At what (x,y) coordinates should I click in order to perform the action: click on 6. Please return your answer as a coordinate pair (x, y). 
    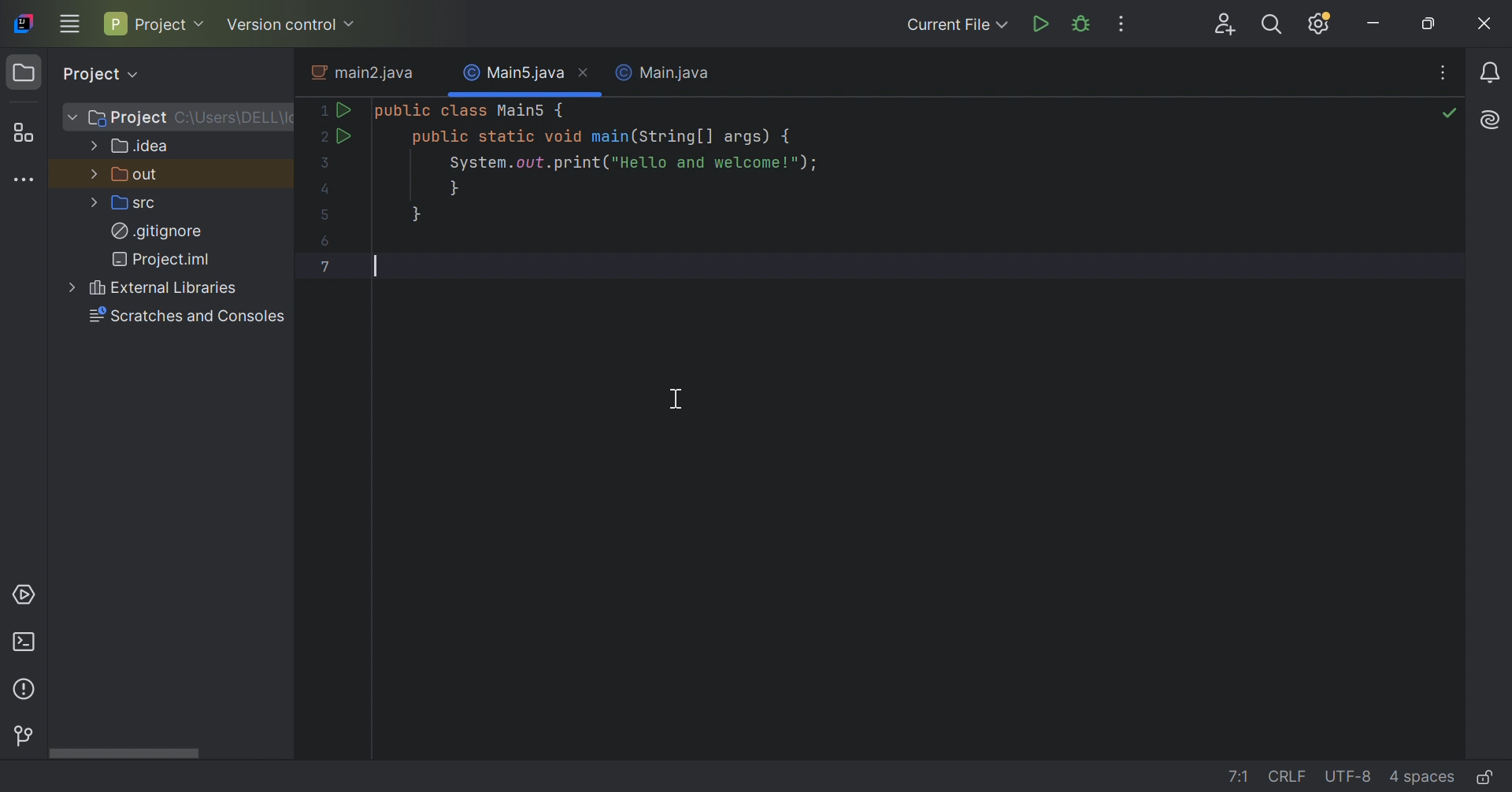
    Looking at the image, I should click on (321, 242).